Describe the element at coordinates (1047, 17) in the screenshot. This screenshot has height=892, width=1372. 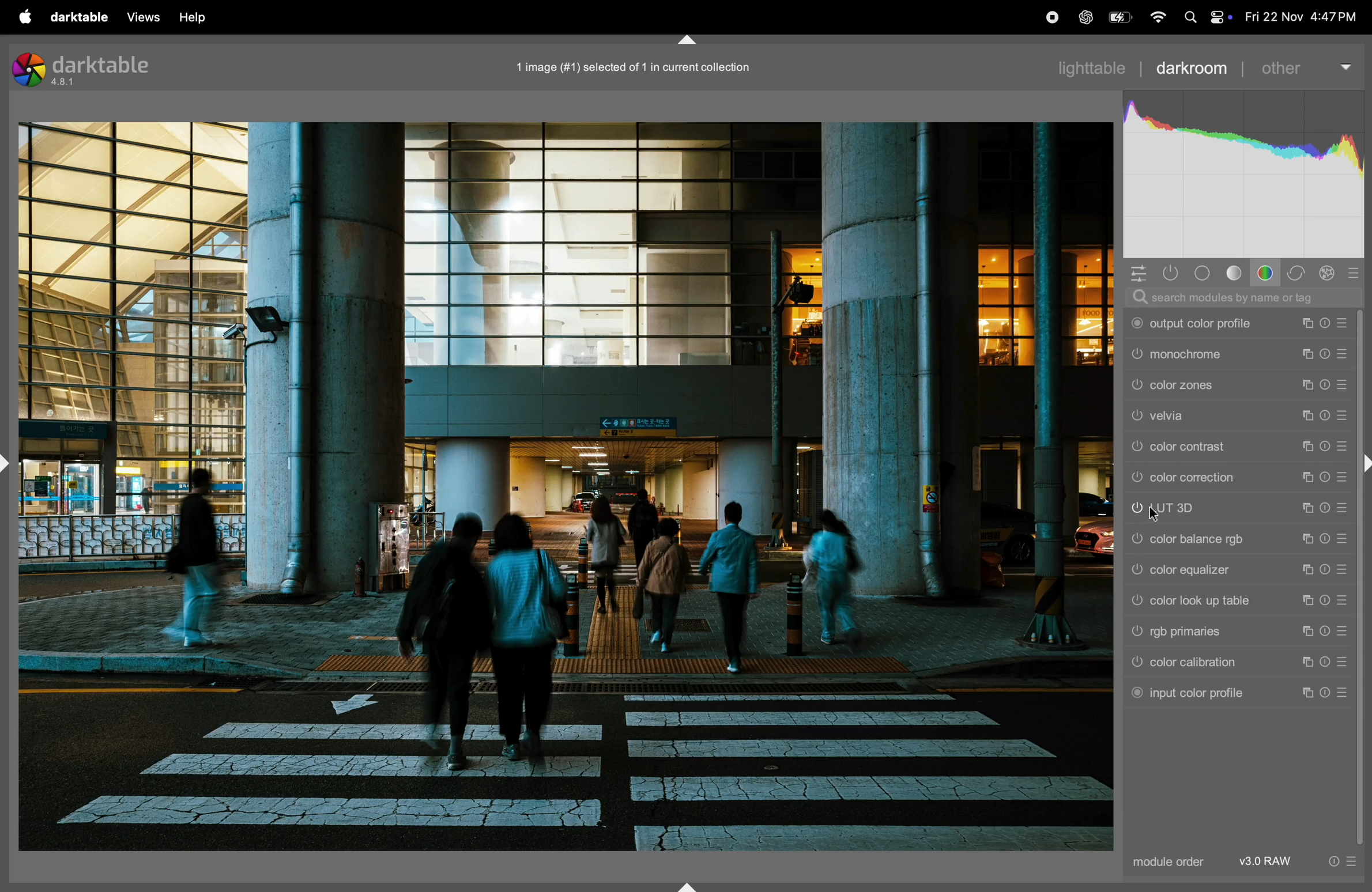
I see `record` at that location.